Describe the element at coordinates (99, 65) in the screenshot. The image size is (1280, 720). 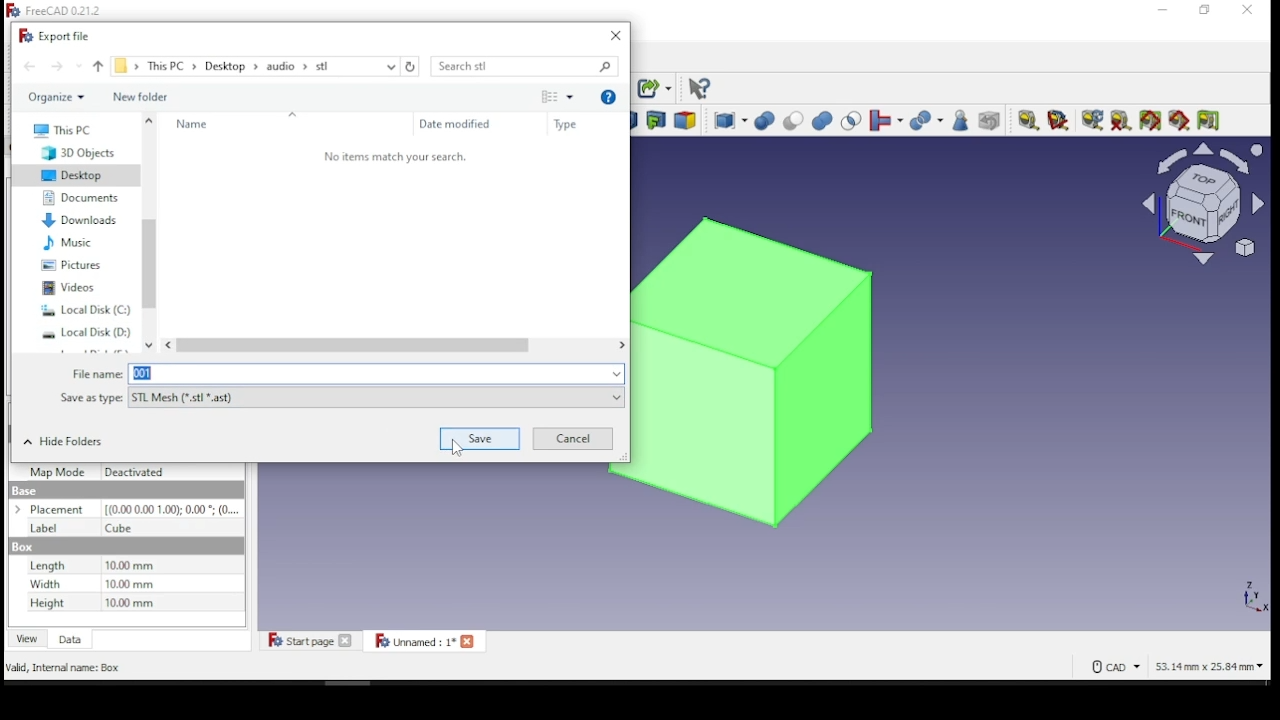
I see `up` at that location.